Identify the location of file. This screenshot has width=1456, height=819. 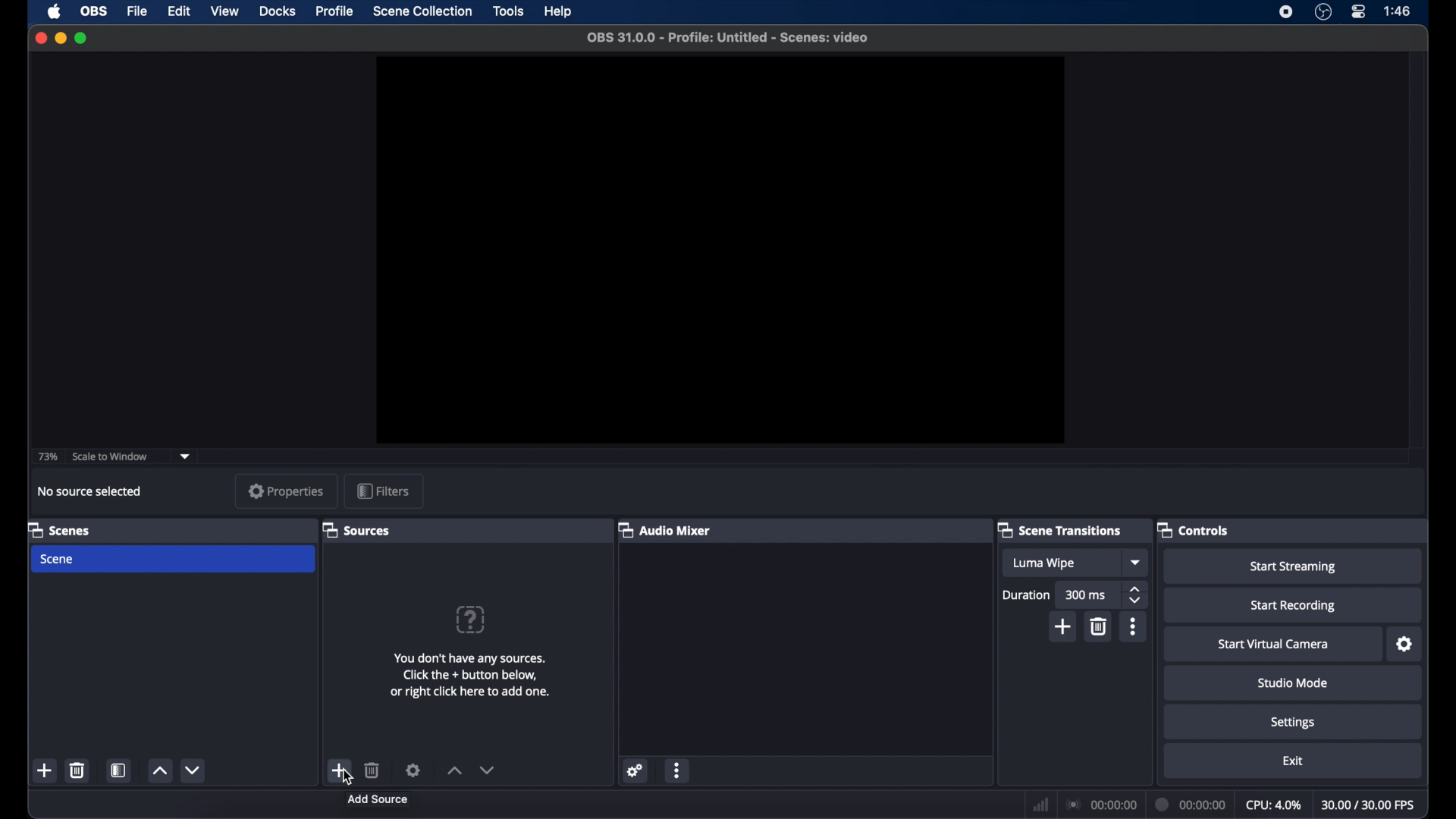
(138, 12).